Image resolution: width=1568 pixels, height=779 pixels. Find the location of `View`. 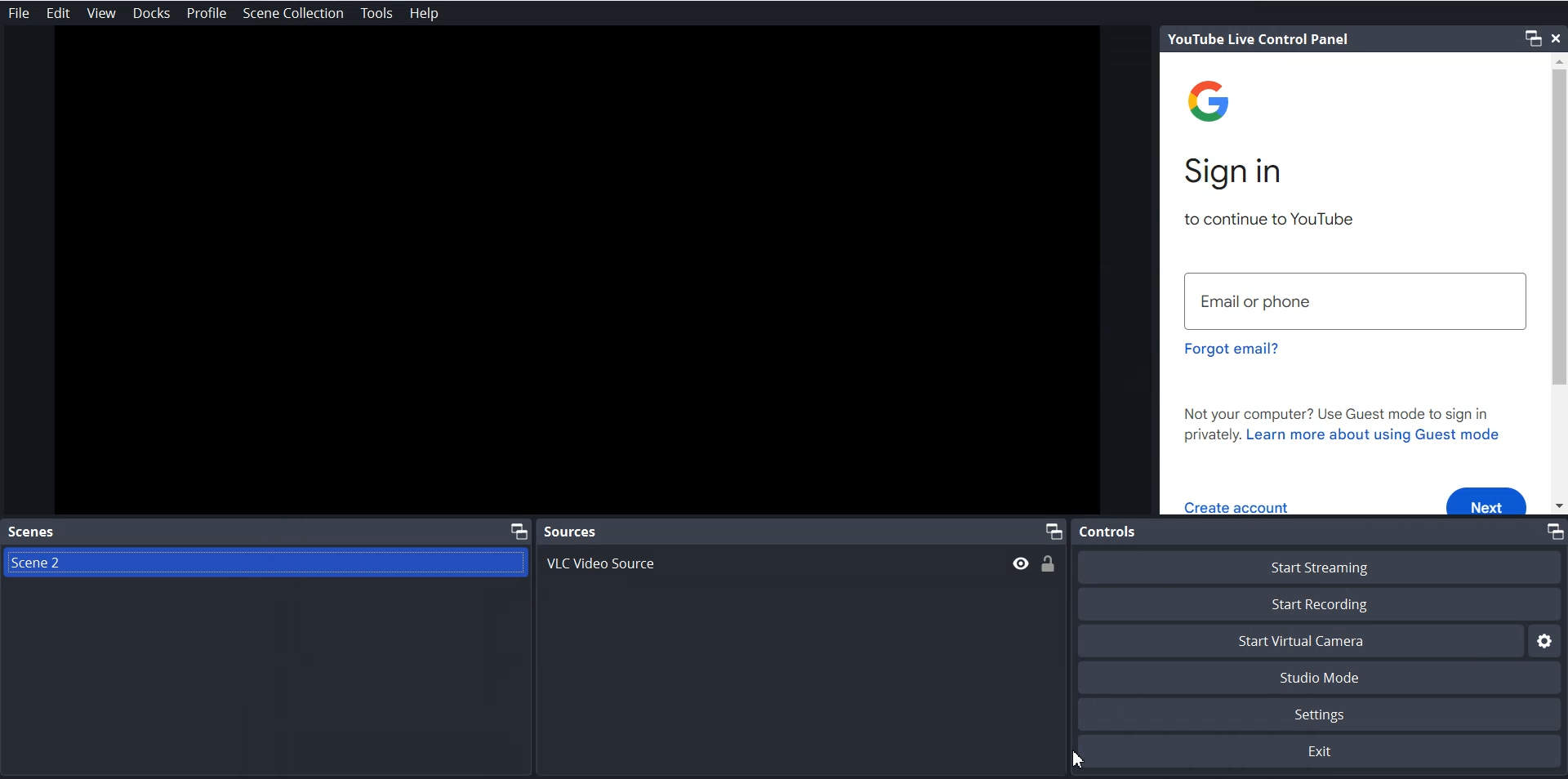

View is located at coordinates (101, 13).